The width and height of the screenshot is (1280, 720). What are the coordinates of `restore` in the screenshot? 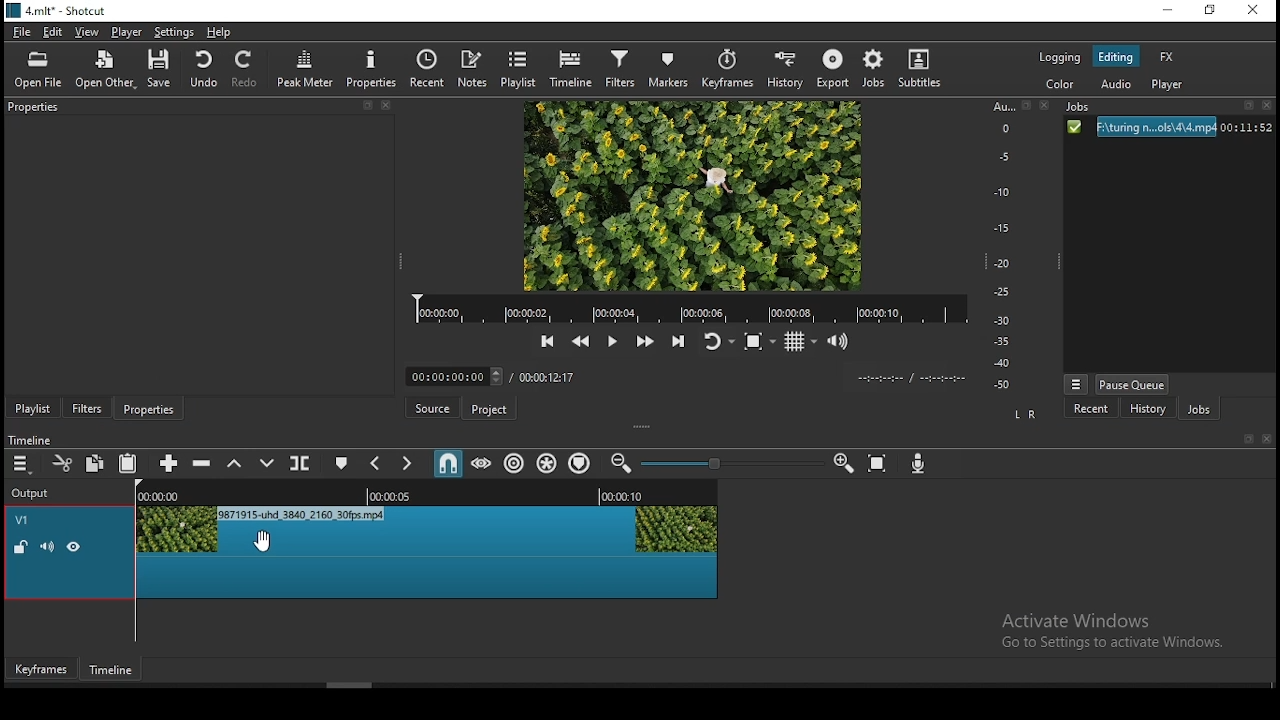 It's located at (1213, 12).